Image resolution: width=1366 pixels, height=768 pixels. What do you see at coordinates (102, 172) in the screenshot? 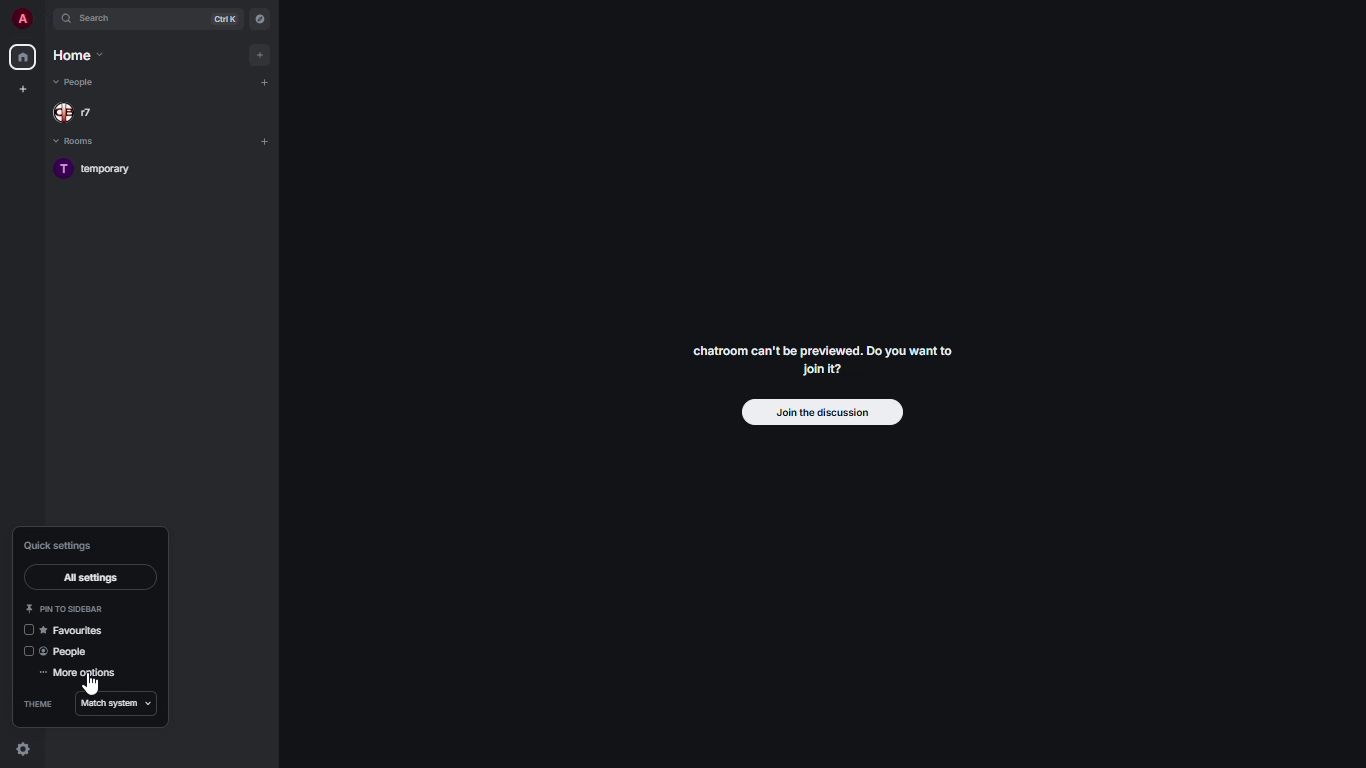
I see `room` at bounding box center [102, 172].